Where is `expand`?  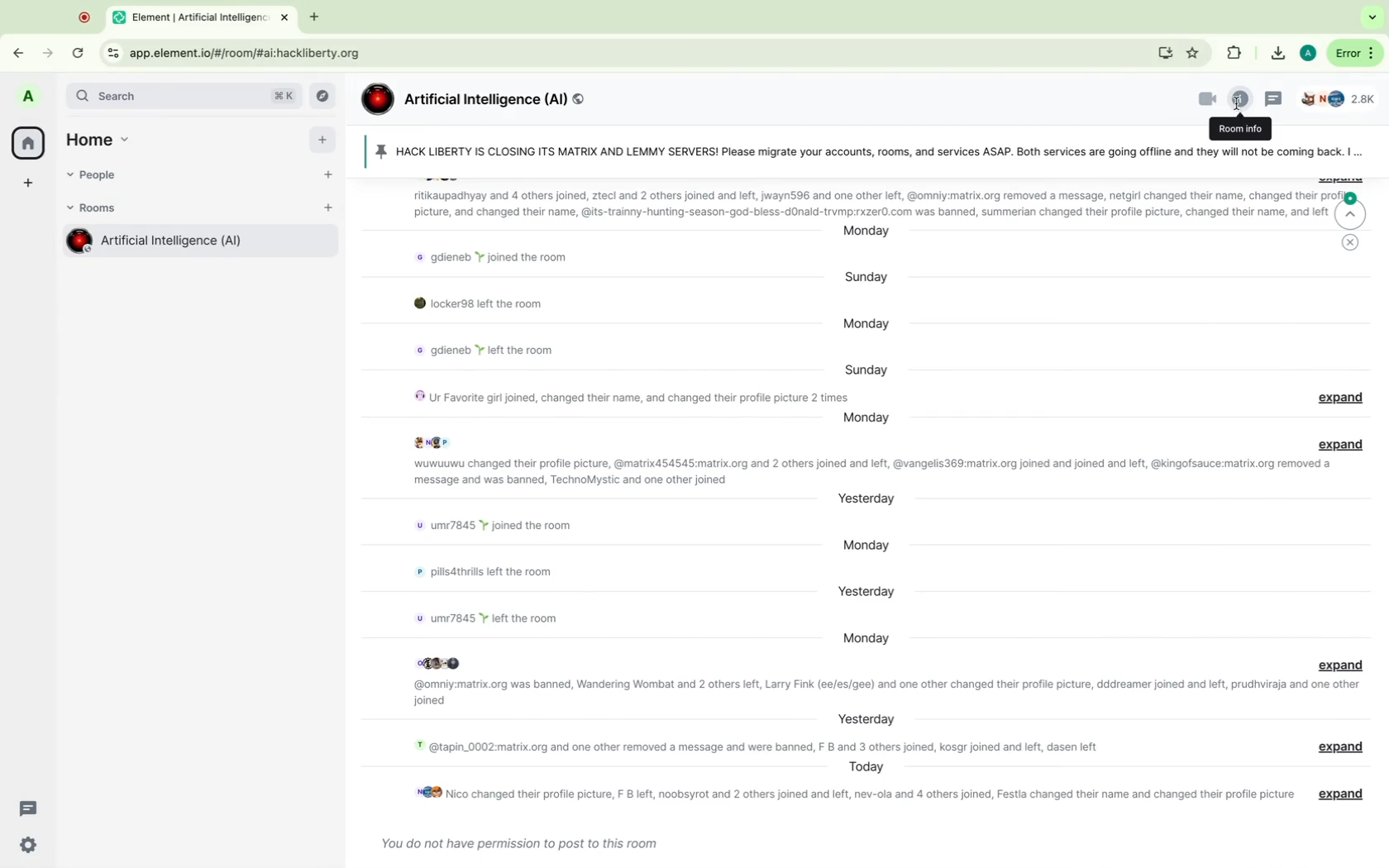
expand is located at coordinates (1342, 398).